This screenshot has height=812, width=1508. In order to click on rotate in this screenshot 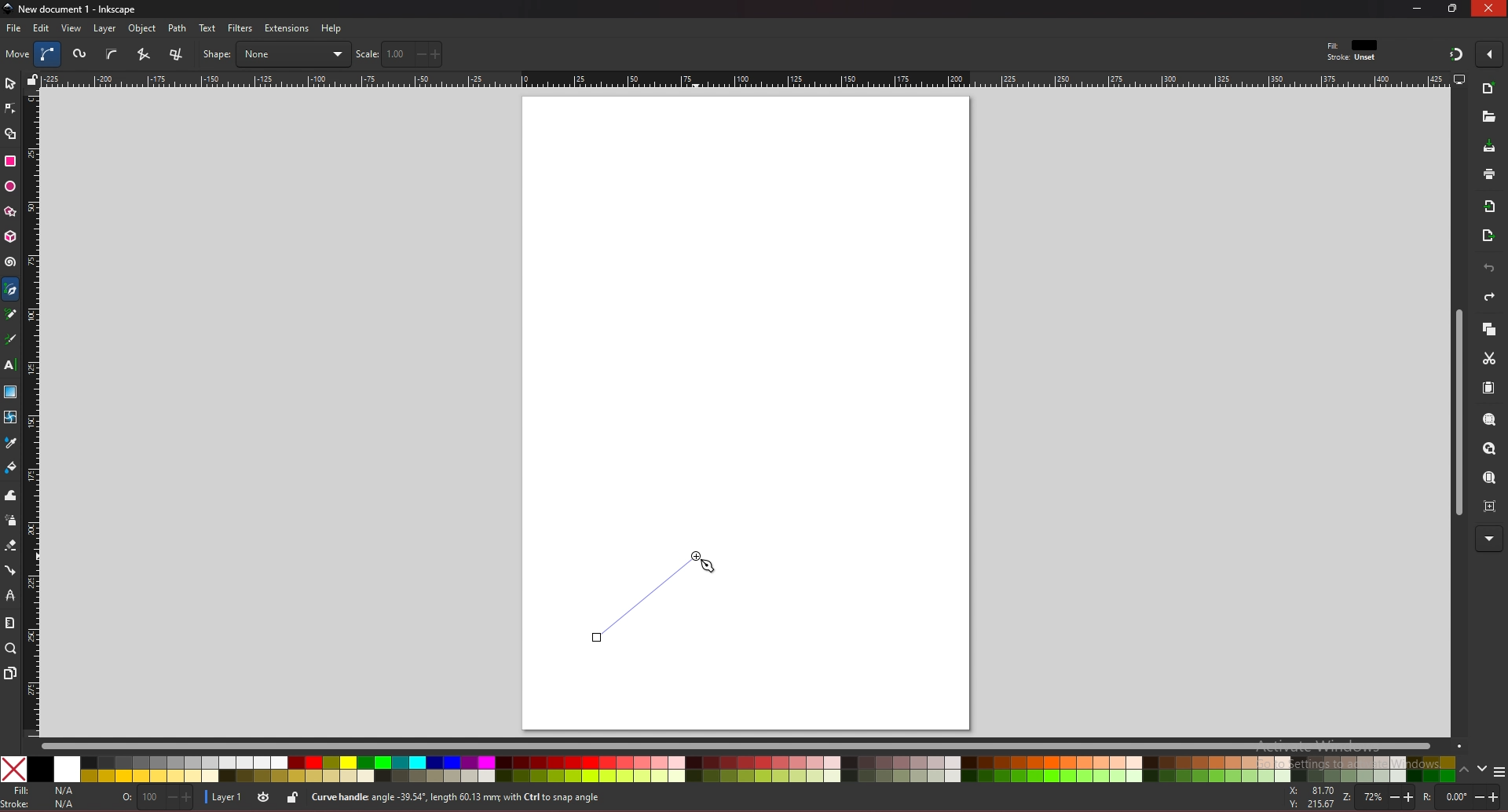, I will do `click(1459, 797)`.